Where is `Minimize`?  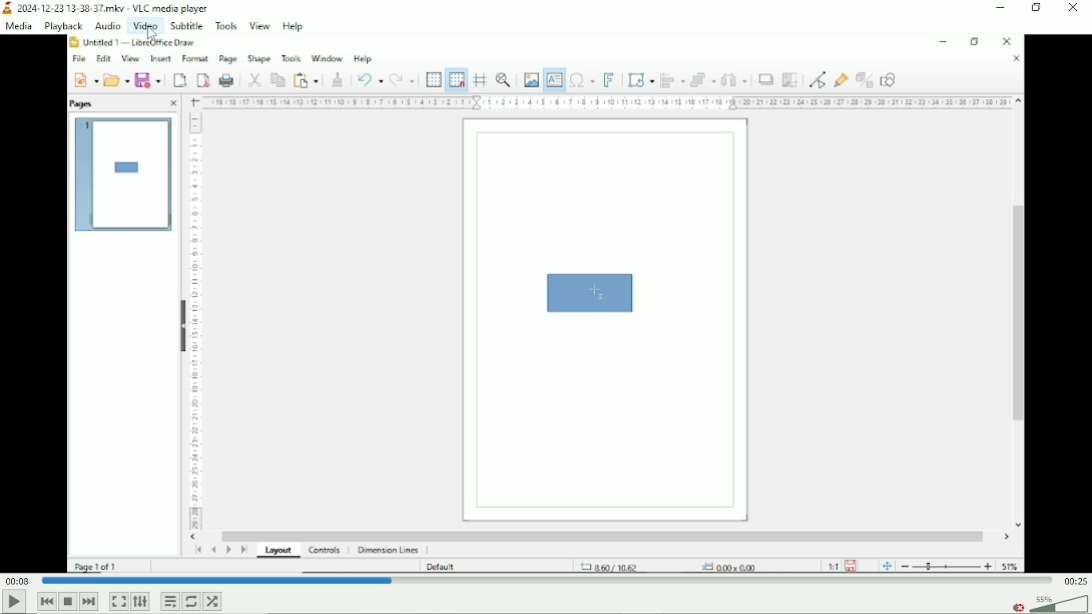 Minimize is located at coordinates (1001, 8).